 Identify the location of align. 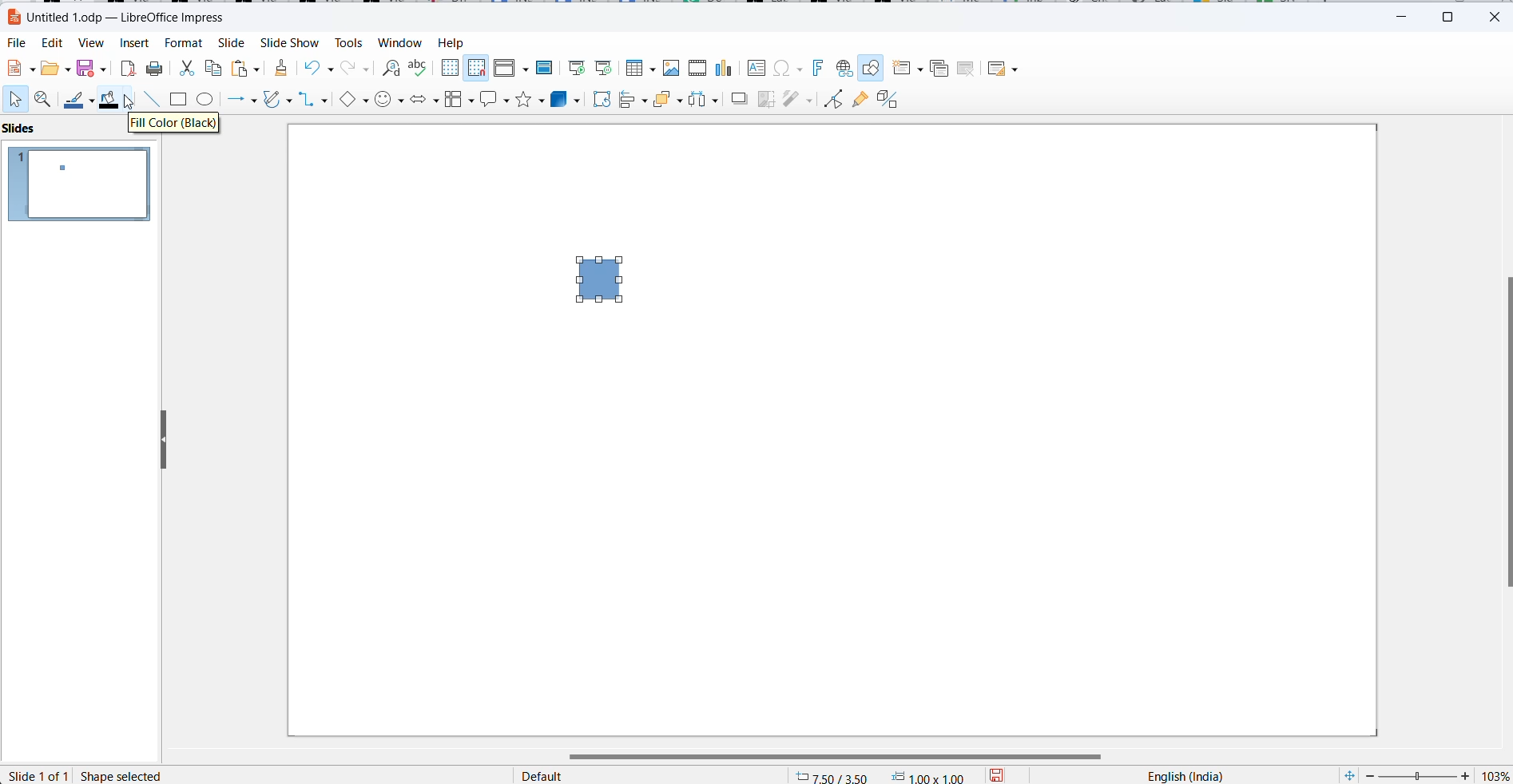
(633, 101).